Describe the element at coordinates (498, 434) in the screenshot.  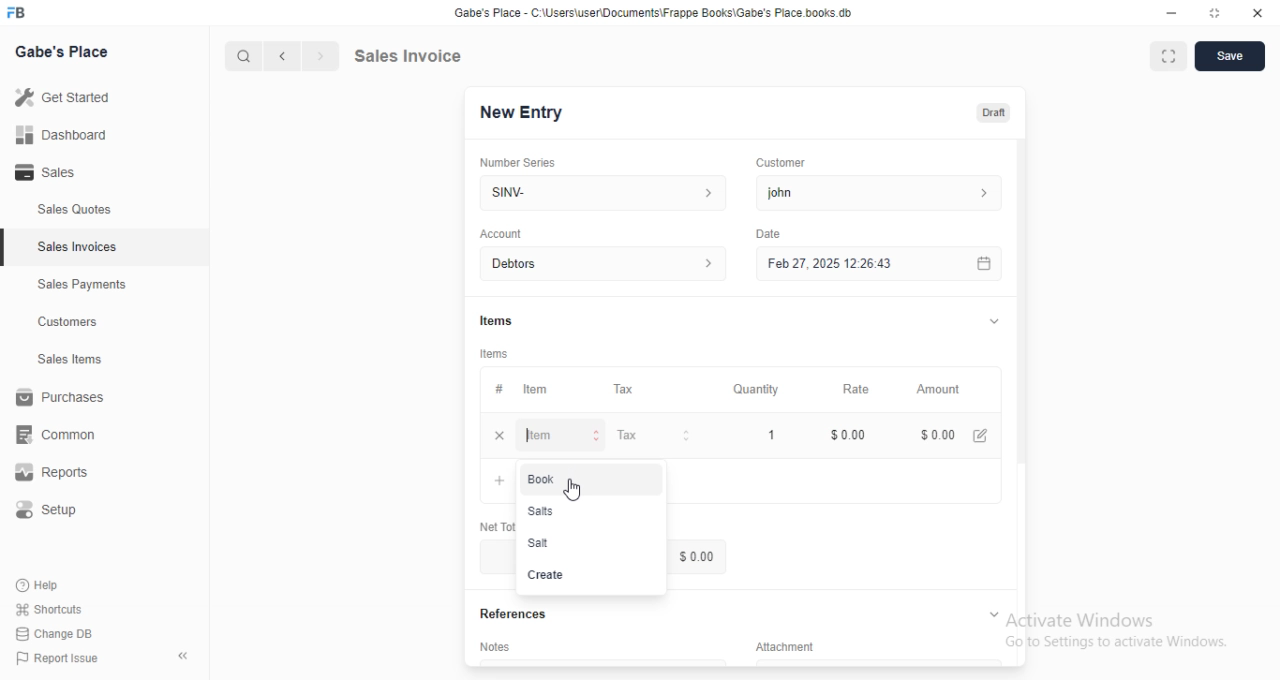
I see `remove row` at that location.